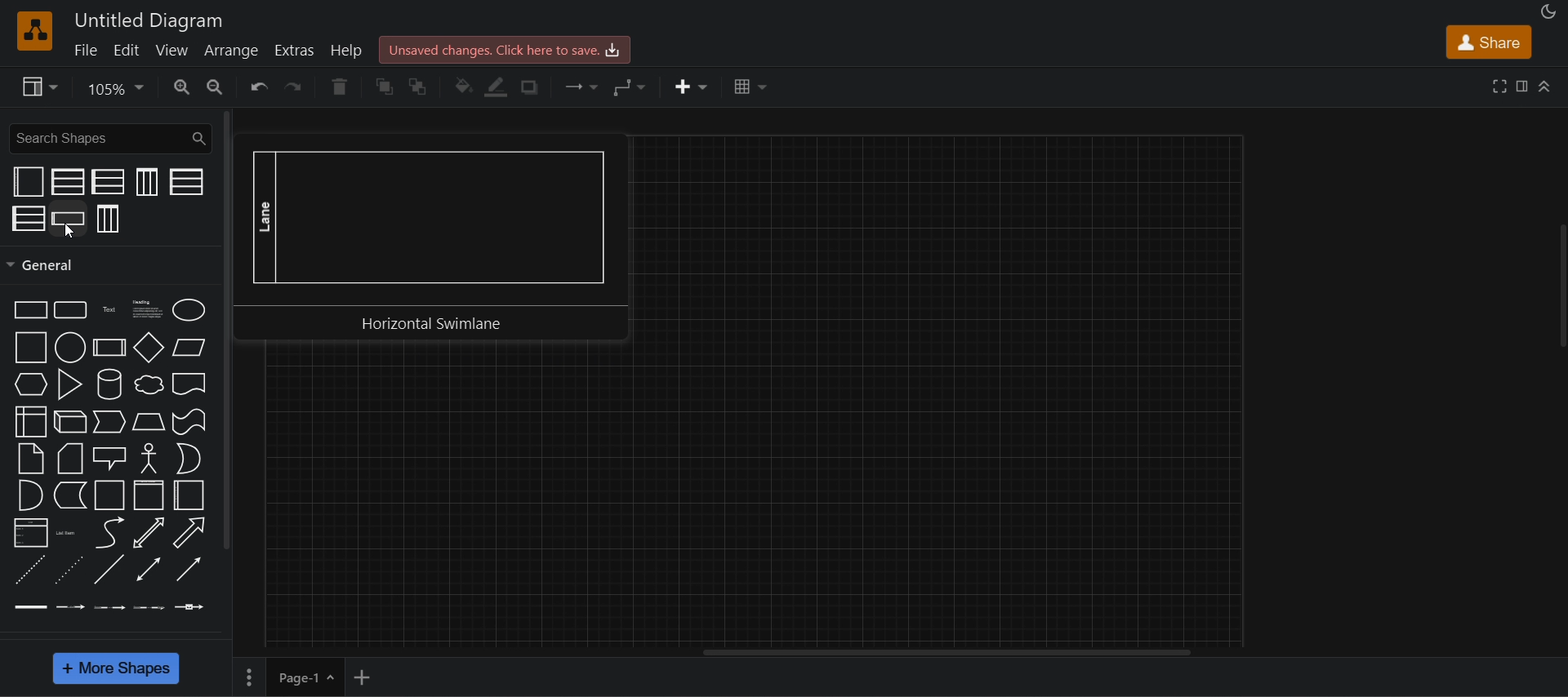 This screenshot has height=697, width=1568. What do you see at coordinates (110, 182) in the screenshot?
I see `horizontal pool 2` at bounding box center [110, 182].